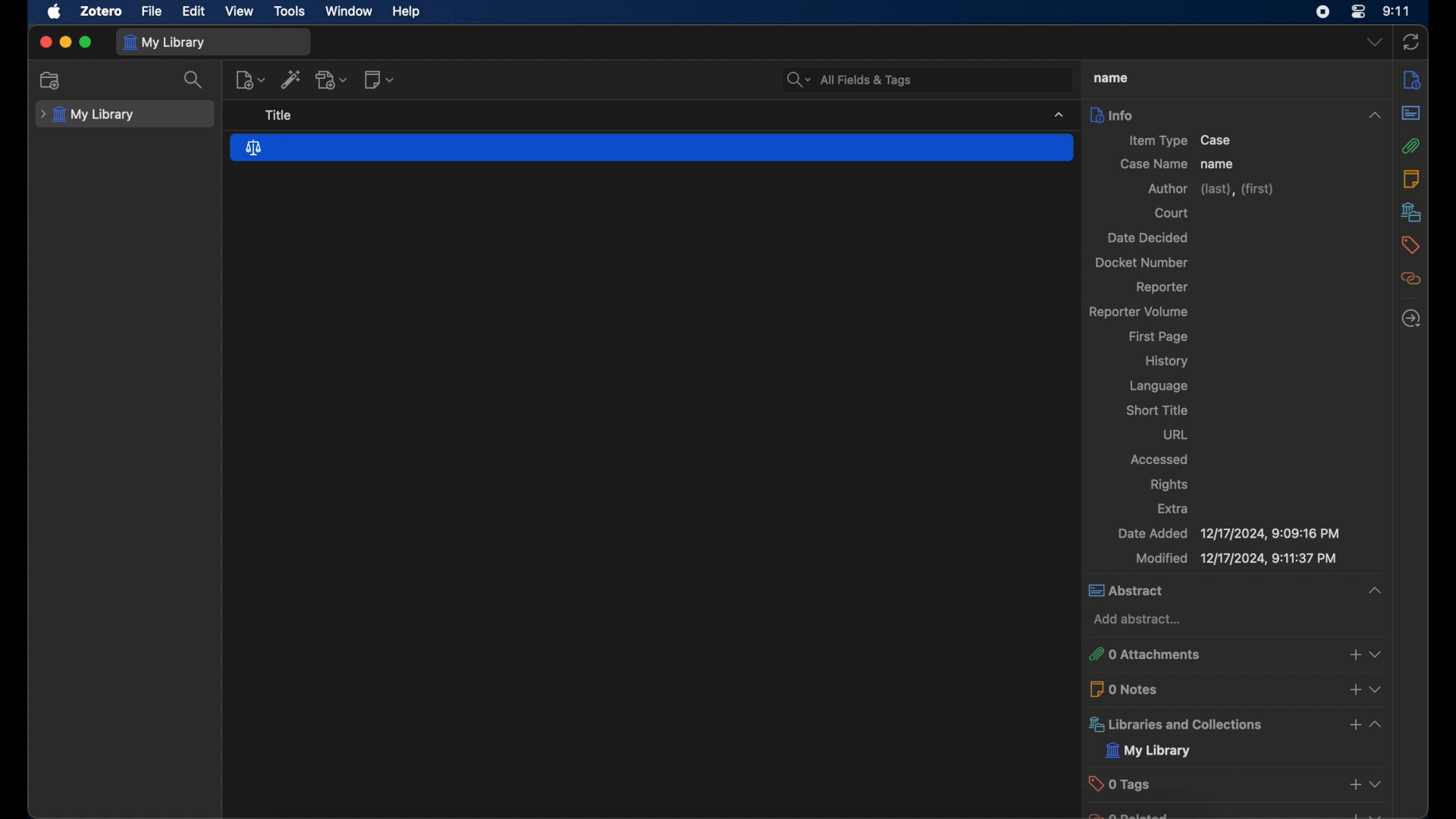 The height and width of the screenshot is (819, 1456). What do you see at coordinates (849, 80) in the screenshot?
I see `all fields and tags` at bounding box center [849, 80].